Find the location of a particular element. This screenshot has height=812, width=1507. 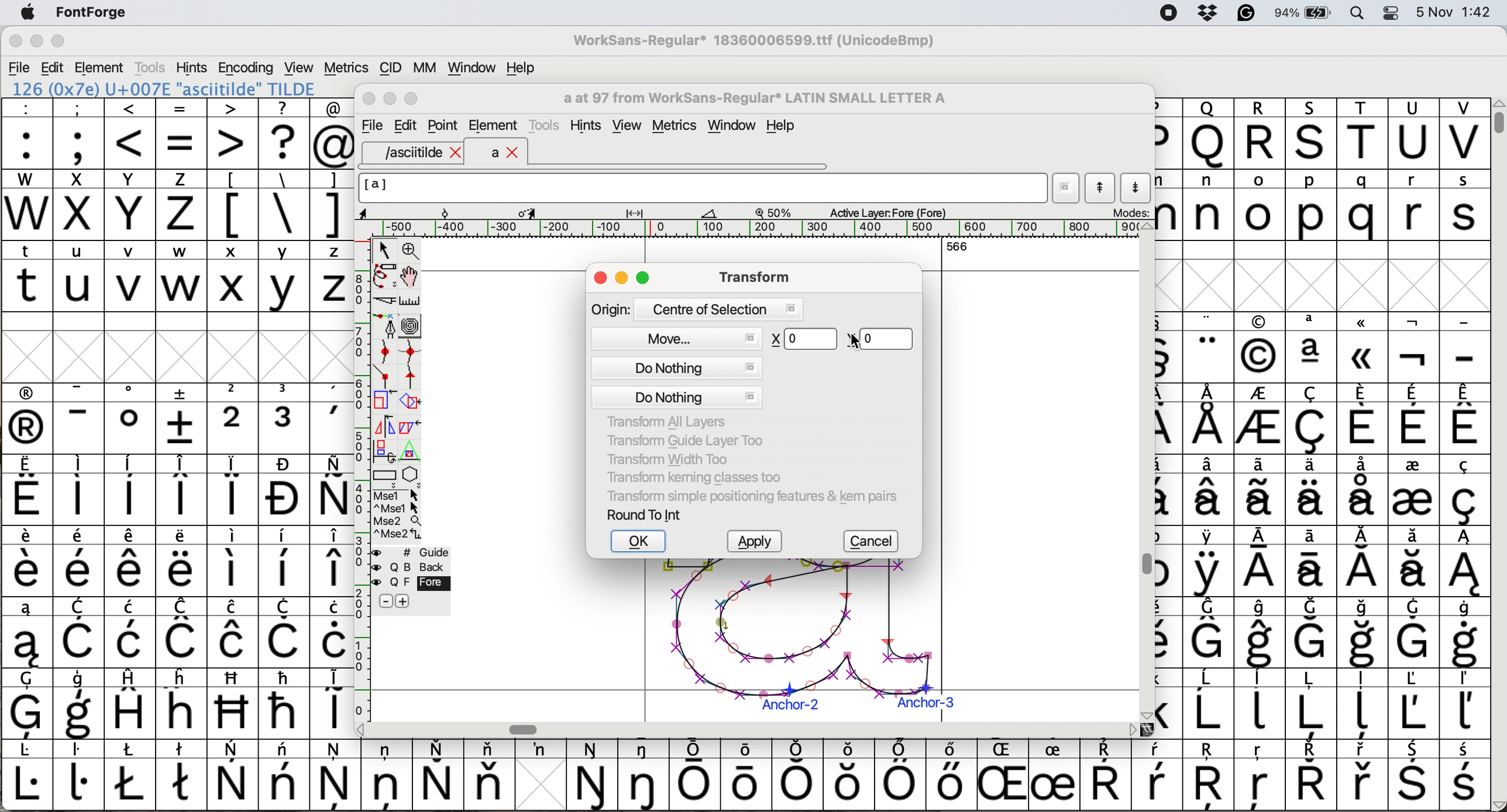

symbol is located at coordinates (234, 776).